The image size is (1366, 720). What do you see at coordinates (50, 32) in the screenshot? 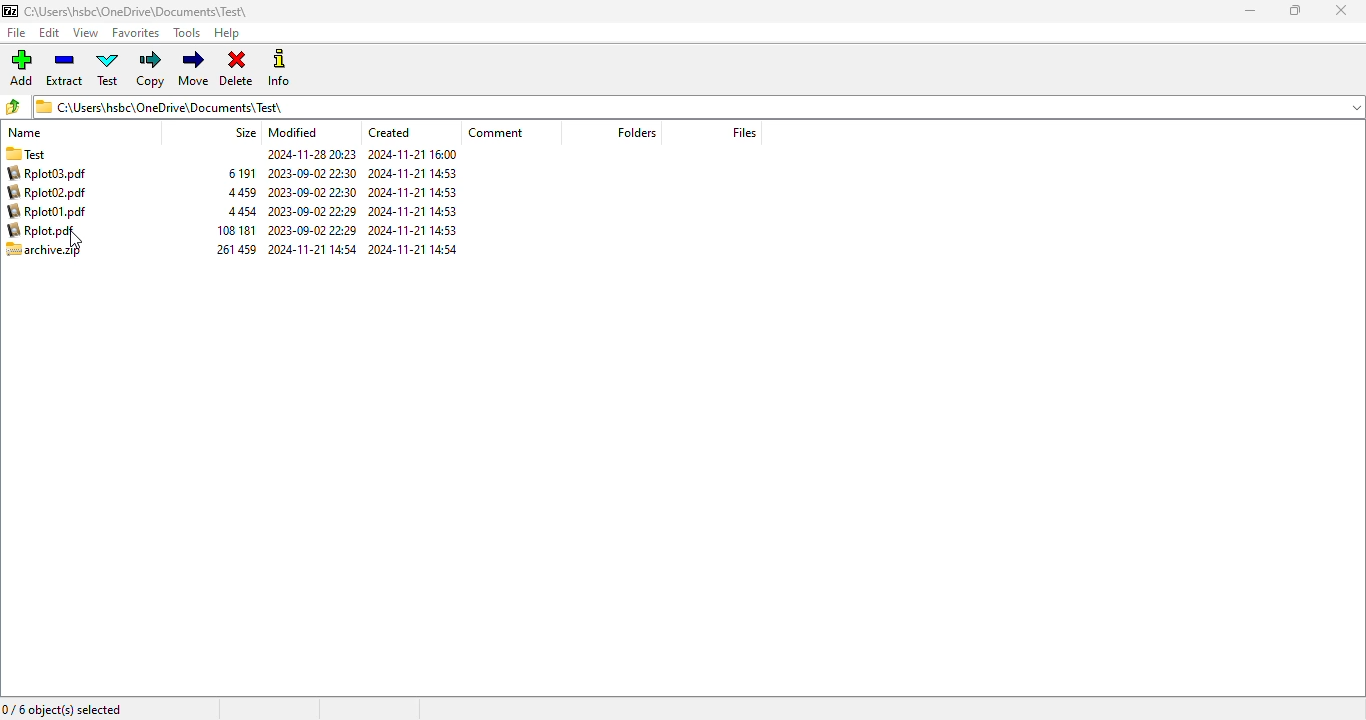
I see `edit` at bounding box center [50, 32].